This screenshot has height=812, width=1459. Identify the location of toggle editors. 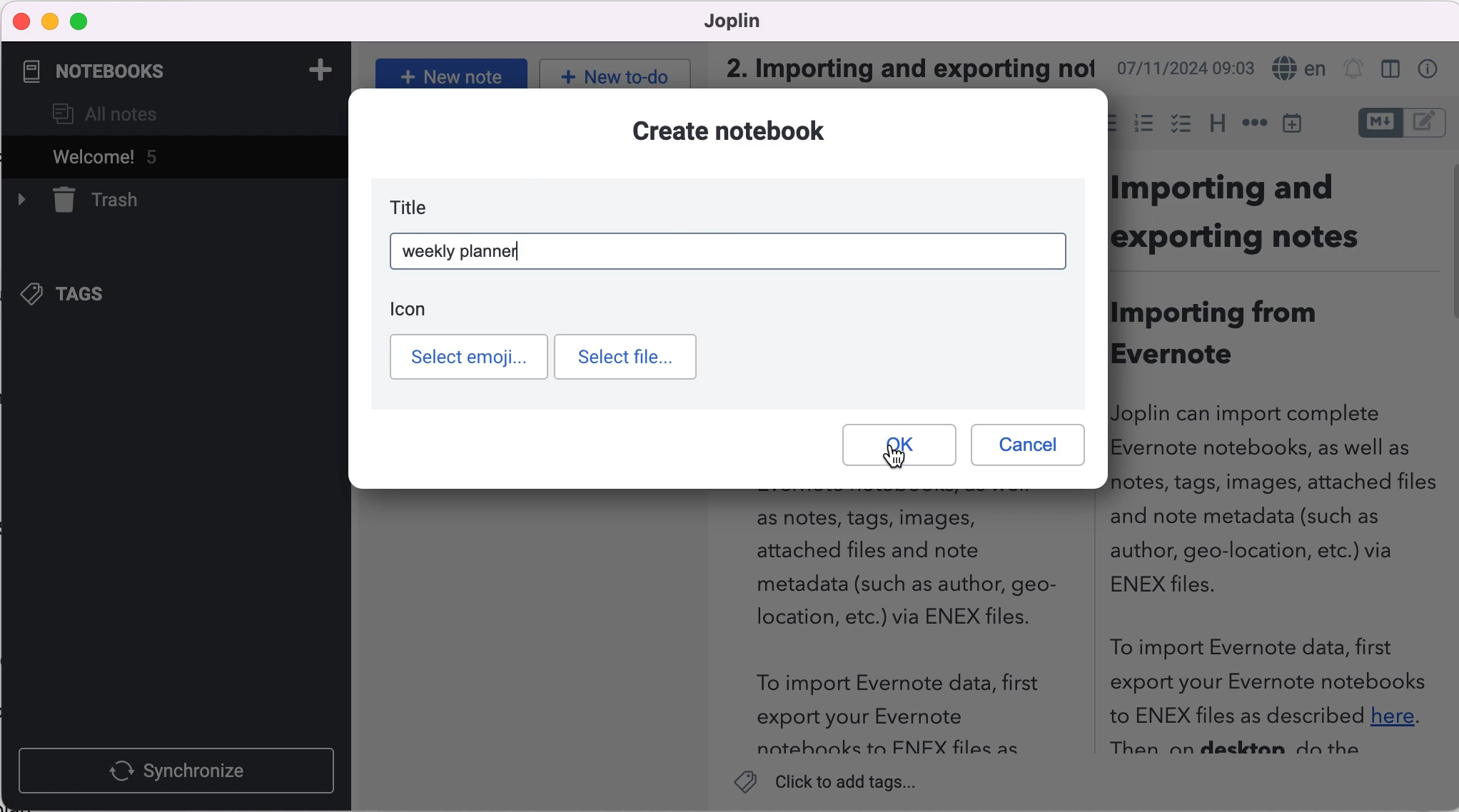
(1402, 125).